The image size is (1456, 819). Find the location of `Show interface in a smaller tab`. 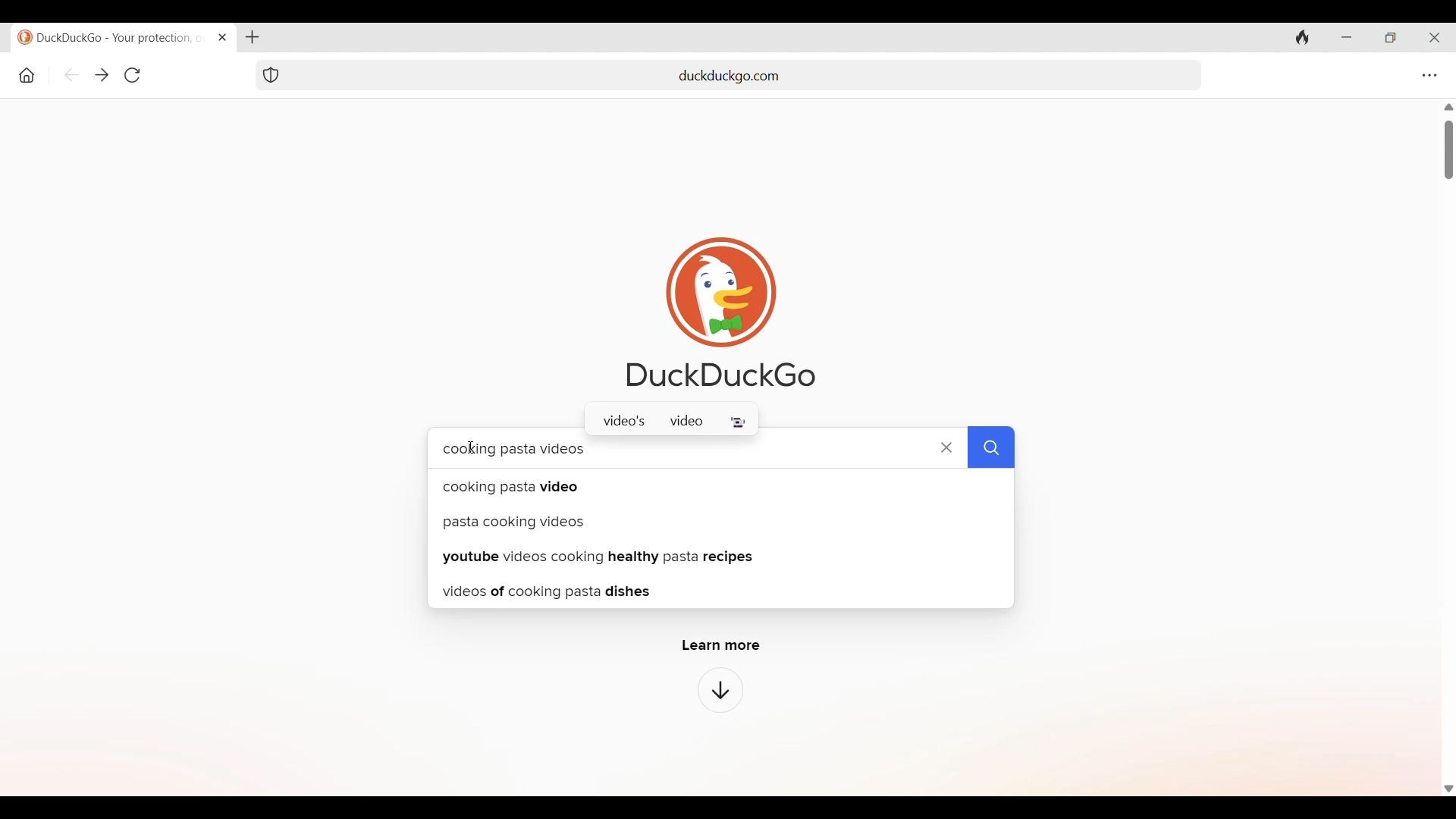

Show interface in a smaller tab is located at coordinates (1391, 38).